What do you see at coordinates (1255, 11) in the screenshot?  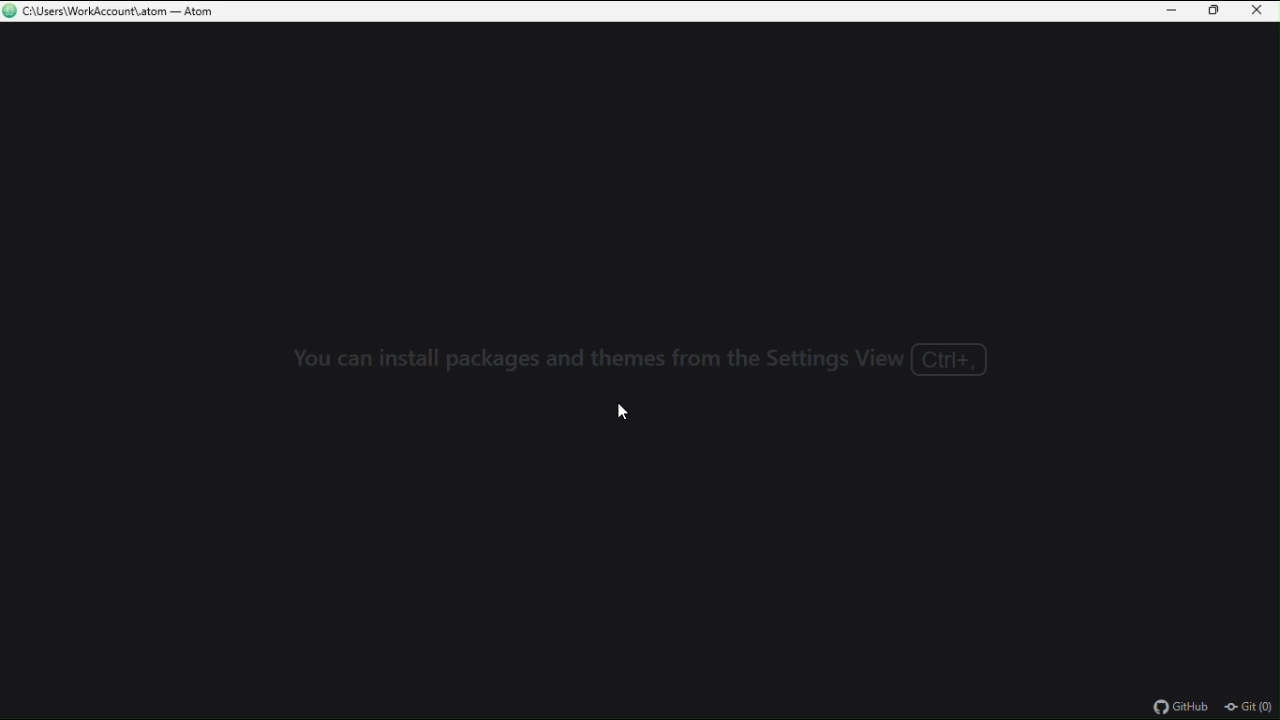 I see `close` at bounding box center [1255, 11].